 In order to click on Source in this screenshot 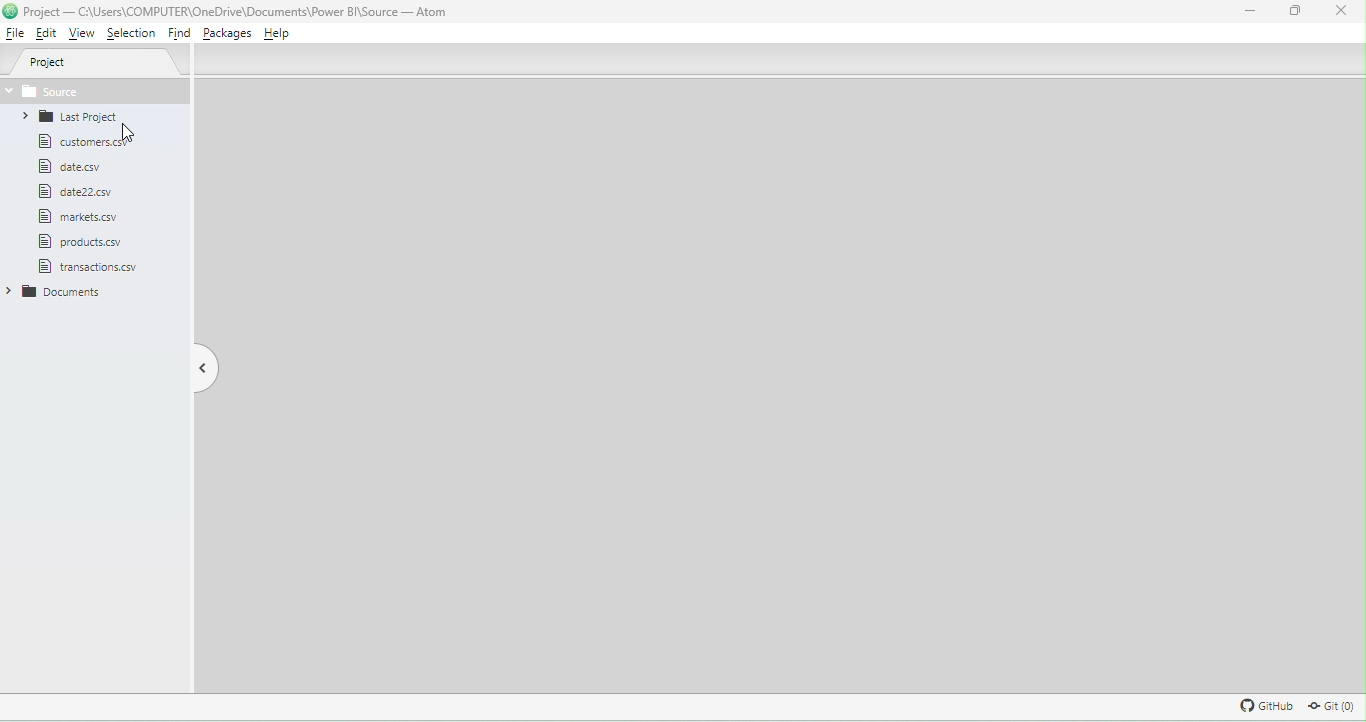, I will do `click(98, 91)`.